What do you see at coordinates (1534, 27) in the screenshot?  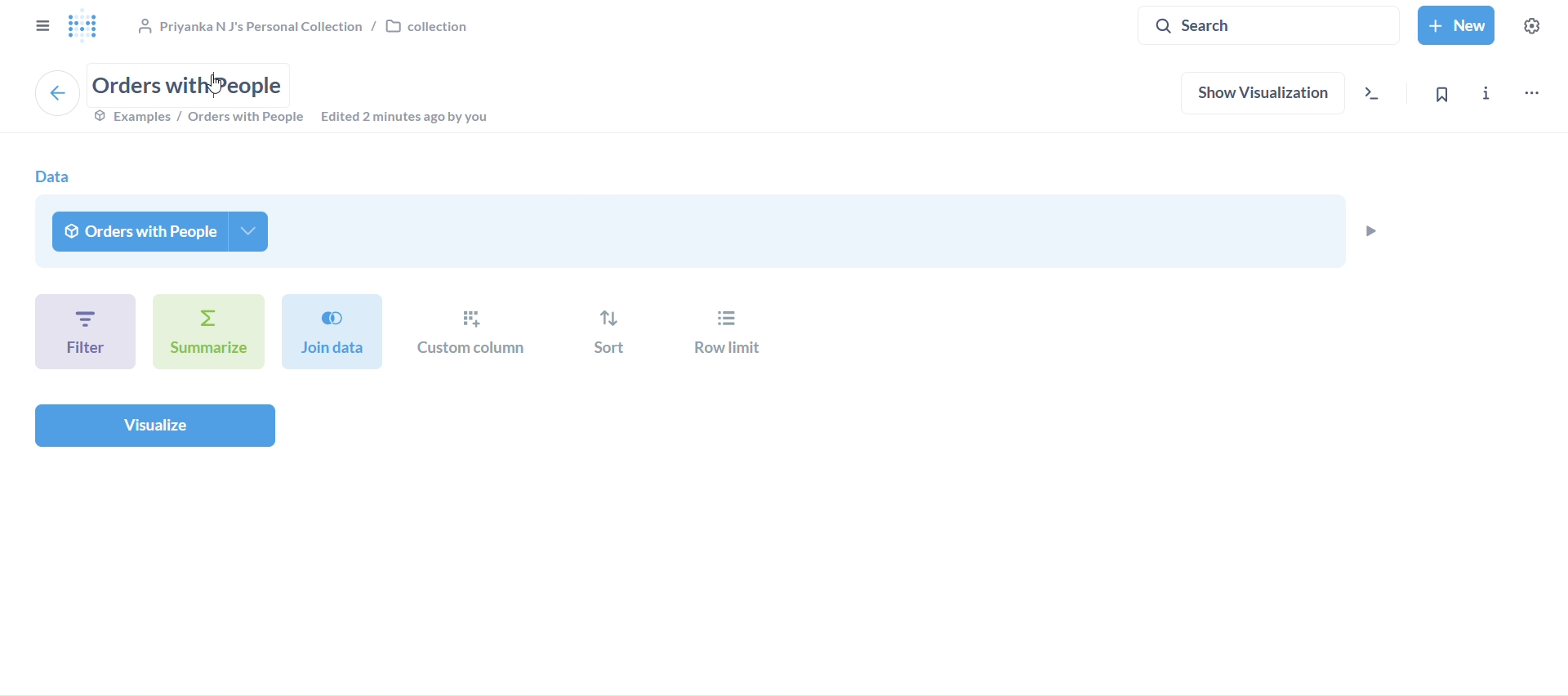 I see `settings` at bounding box center [1534, 27].